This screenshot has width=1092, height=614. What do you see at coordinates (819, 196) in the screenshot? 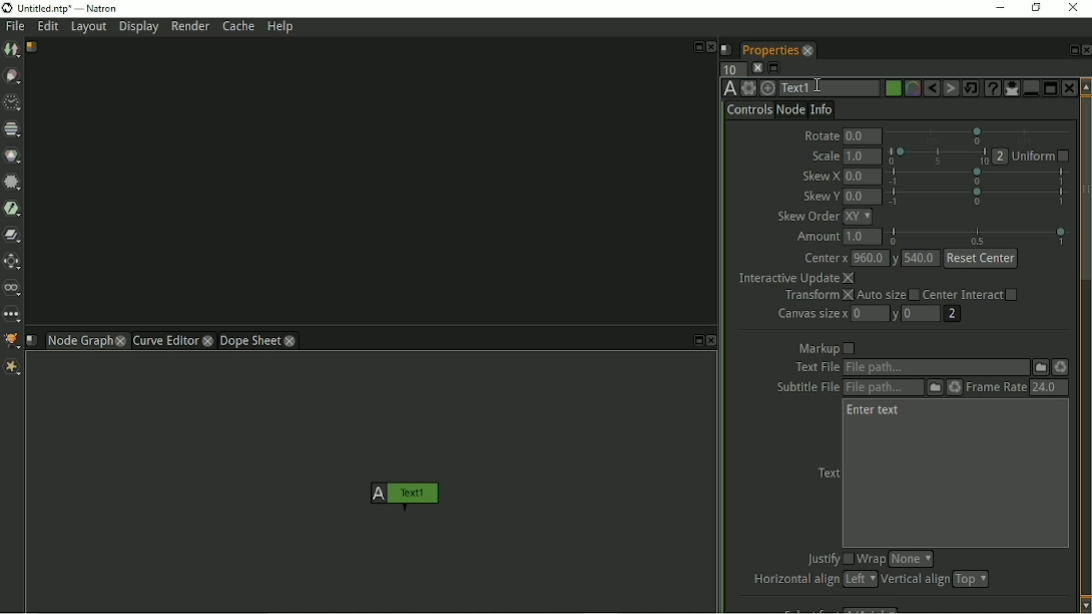
I see `Skew Y` at bounding box center [819, 196].